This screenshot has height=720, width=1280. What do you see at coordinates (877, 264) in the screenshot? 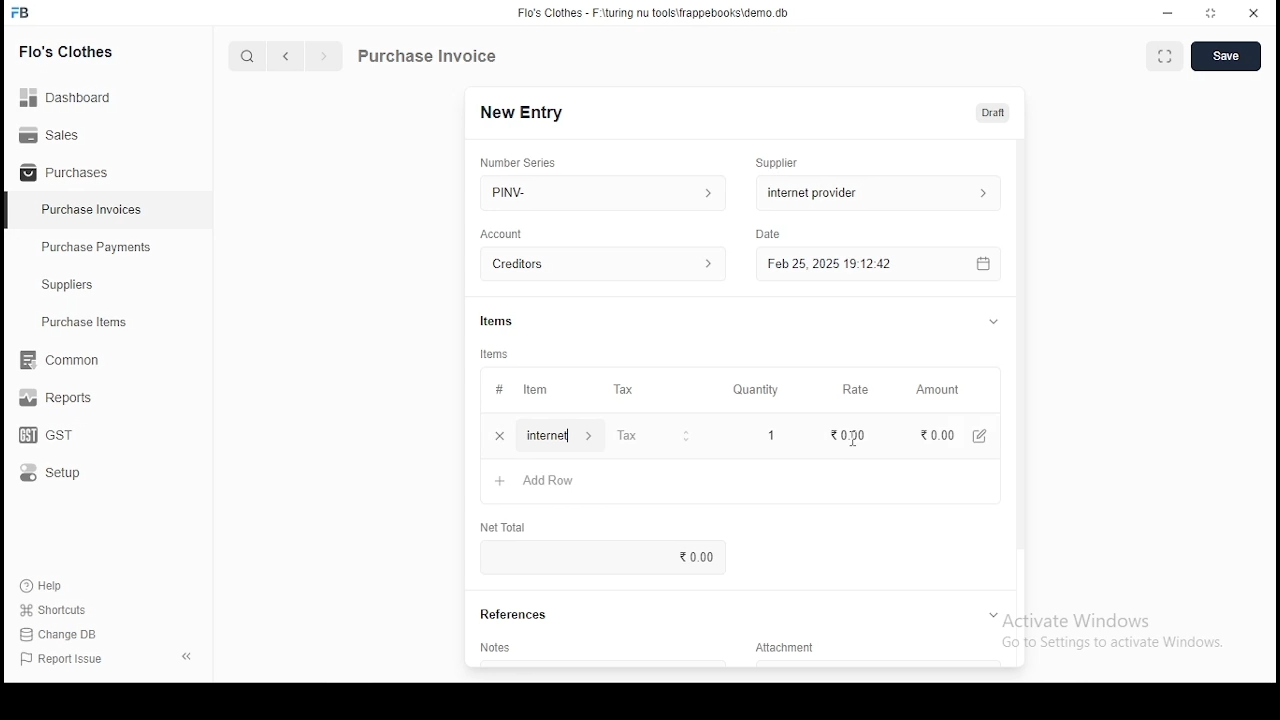
I see `feb 25, 2025 19:12:42` at bounding box center [877, 264].